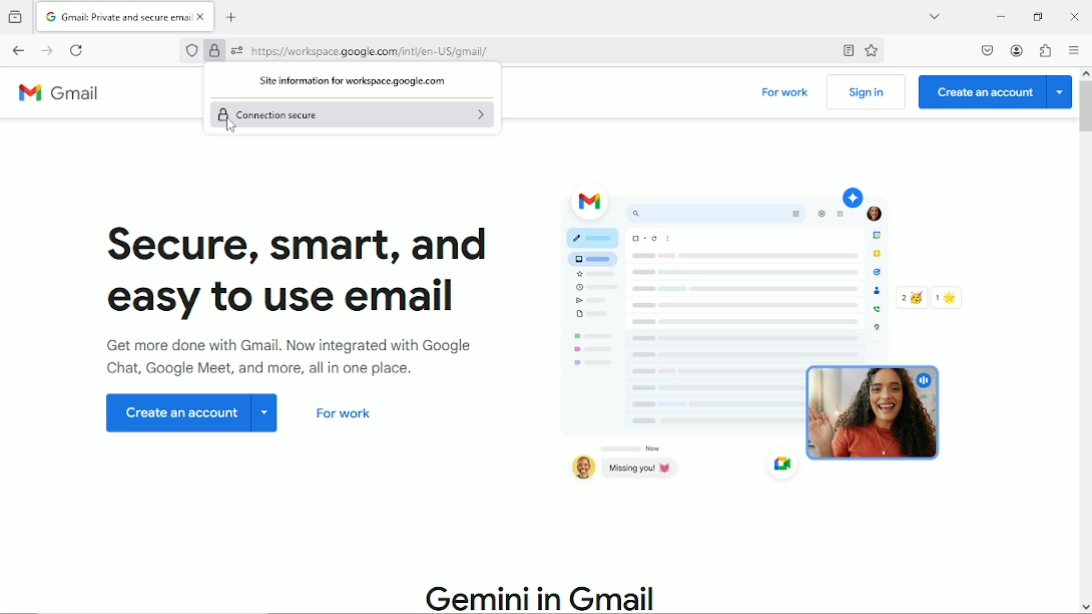  I want to click on Secure, smart and easy to use email, so click(301, 269).